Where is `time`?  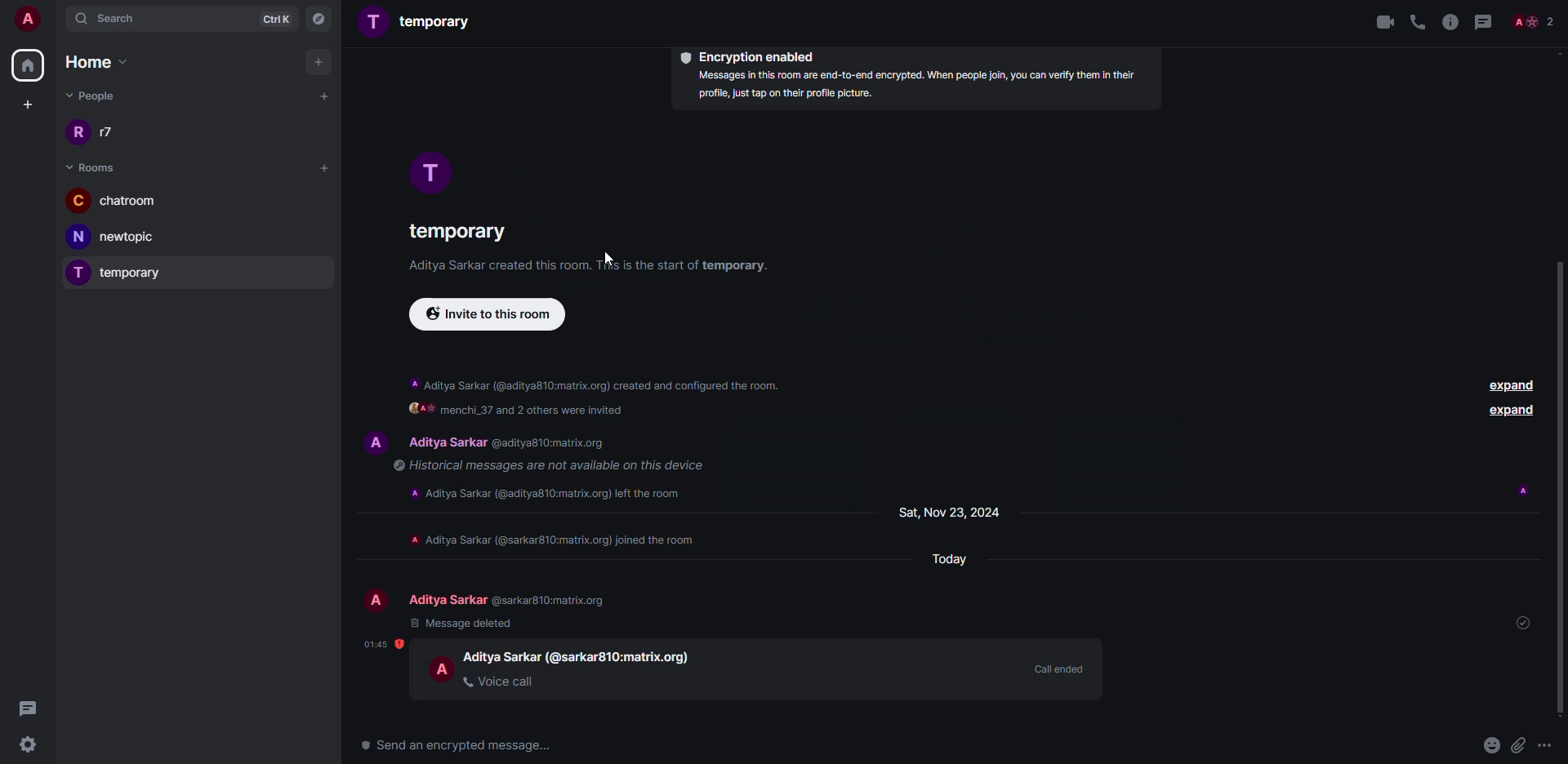 time is located at coordinates (376, 643).